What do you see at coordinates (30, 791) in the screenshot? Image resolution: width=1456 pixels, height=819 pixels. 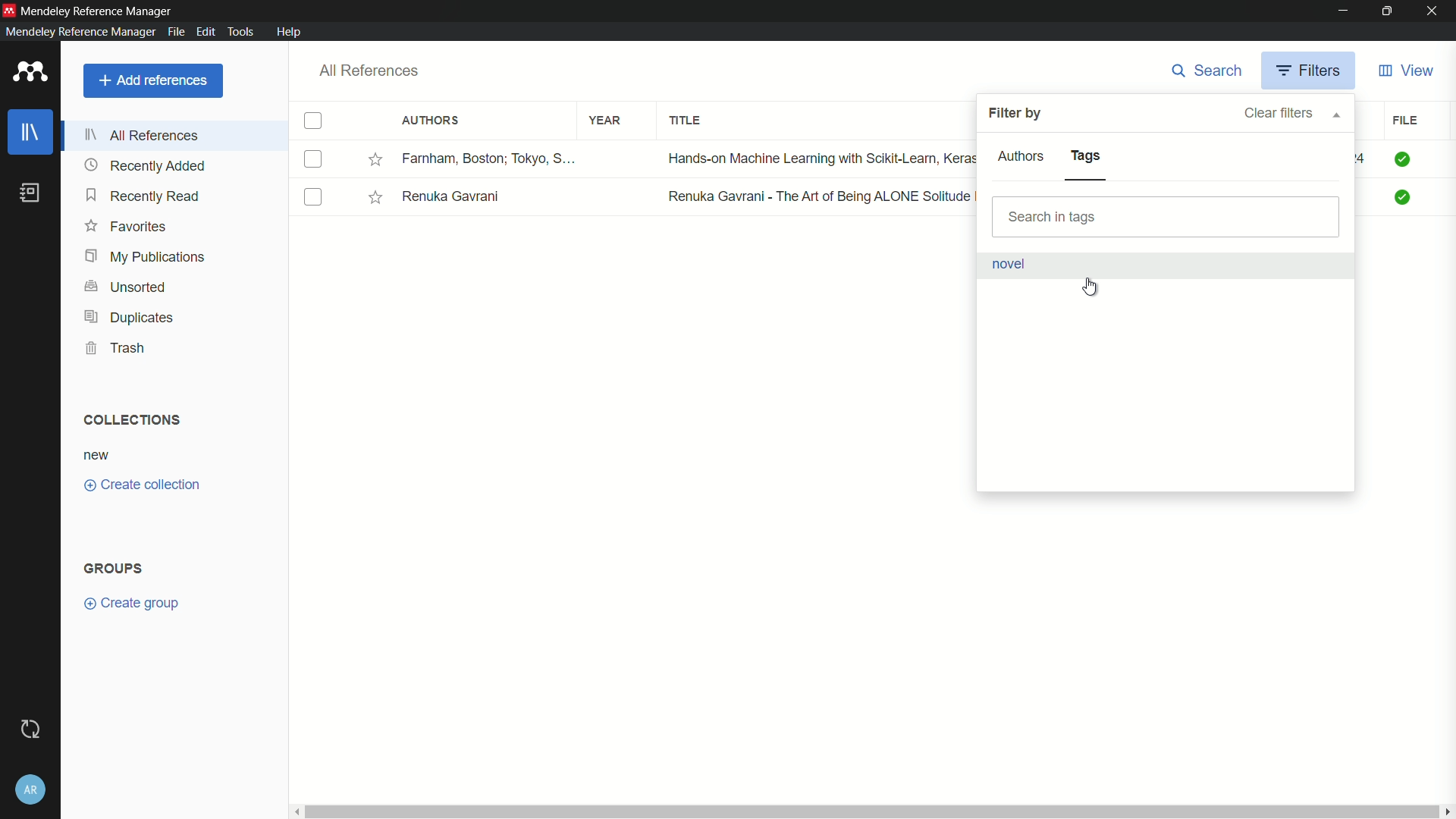 I see `account and settings` at bounding box center [30, 791].